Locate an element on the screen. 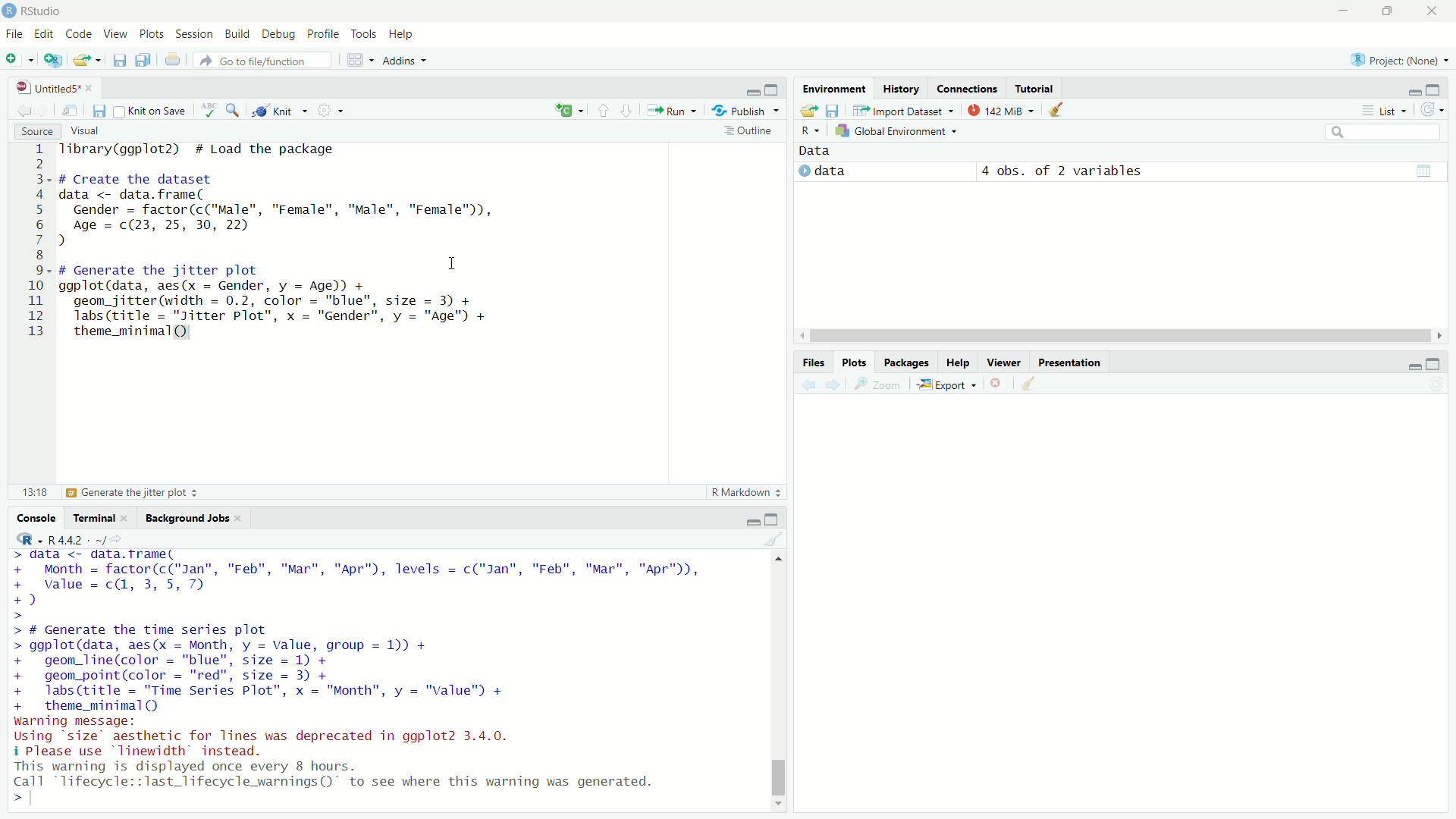 This screenshot has height=819, width=1456. code is located at coordinates (77, 33).